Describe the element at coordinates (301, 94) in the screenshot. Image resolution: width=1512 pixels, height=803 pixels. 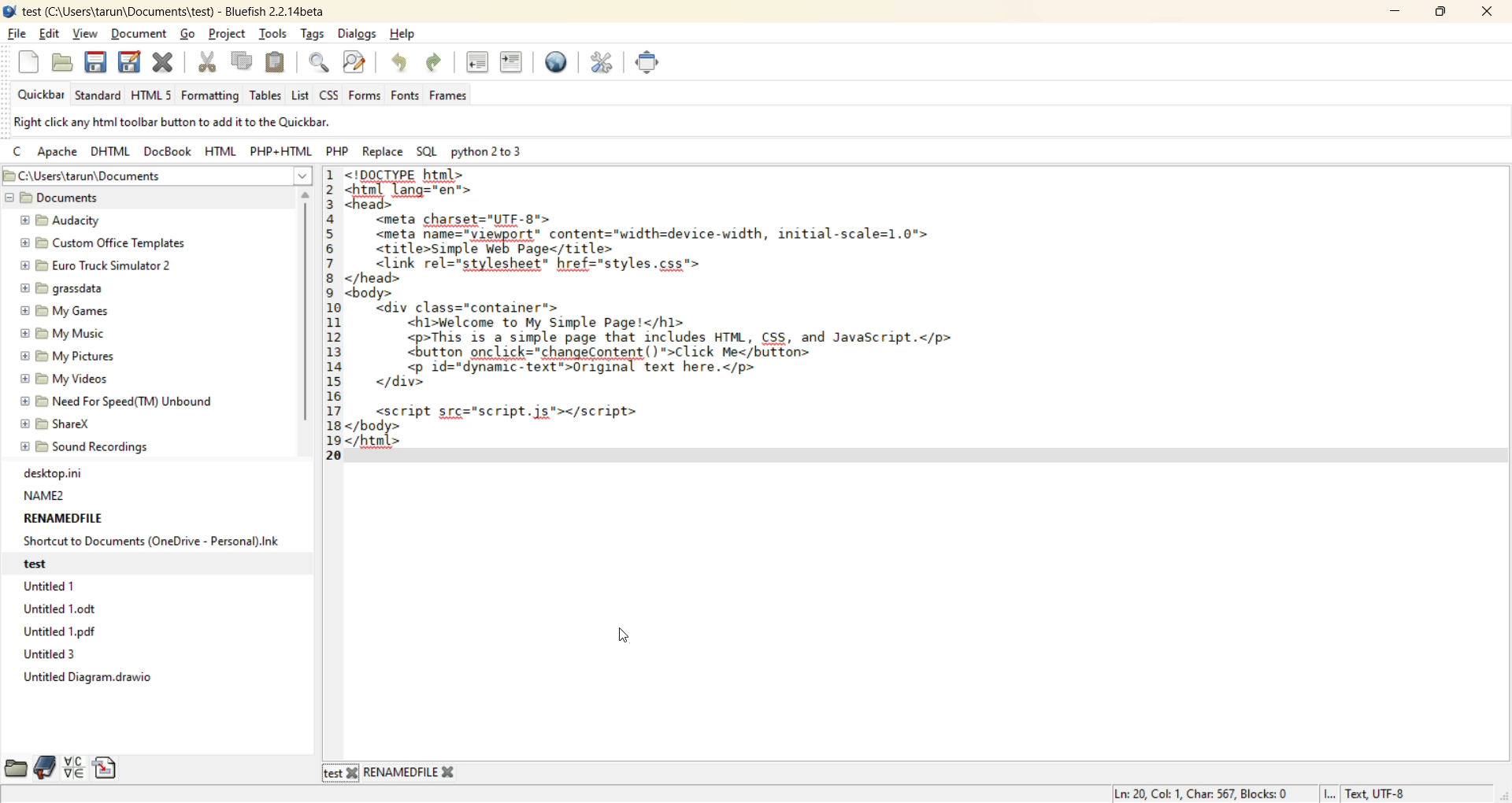
I see `list` at that location.